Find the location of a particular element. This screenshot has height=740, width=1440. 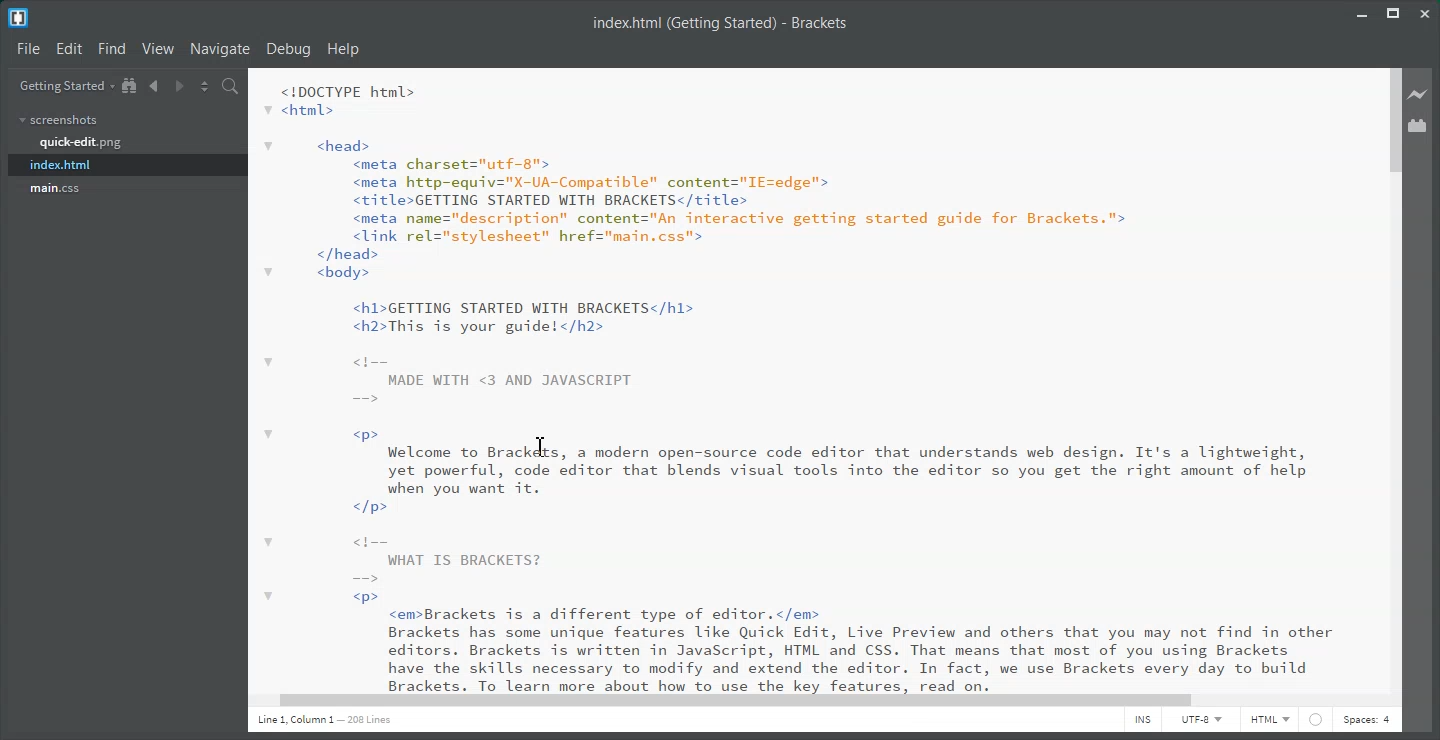

Navigate Backwards is located at coordinates (154, 86).